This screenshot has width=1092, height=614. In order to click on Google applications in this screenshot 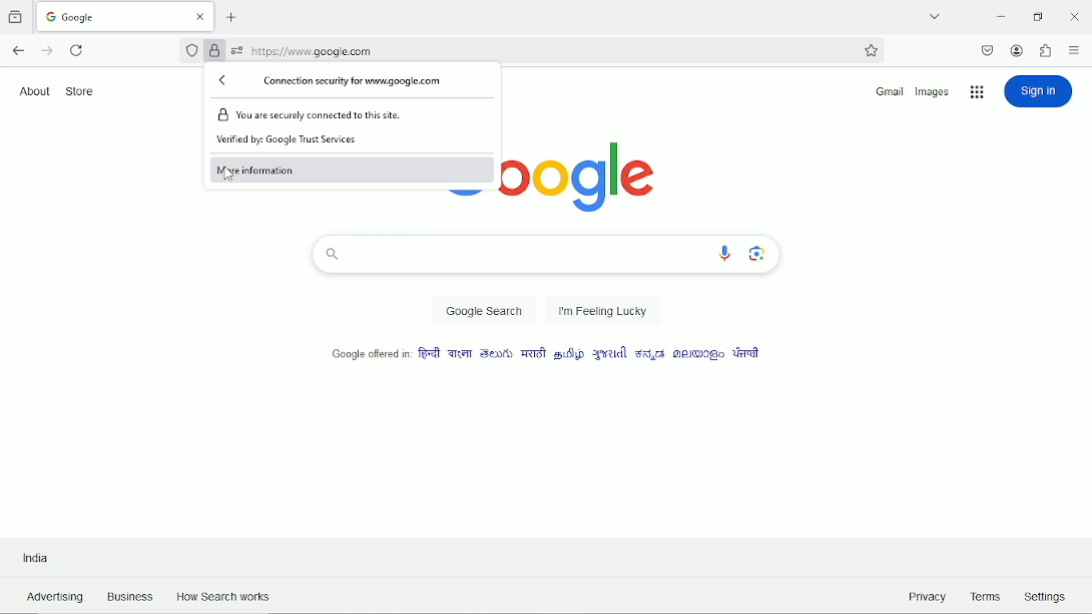, I will do `click(977, 92)`.